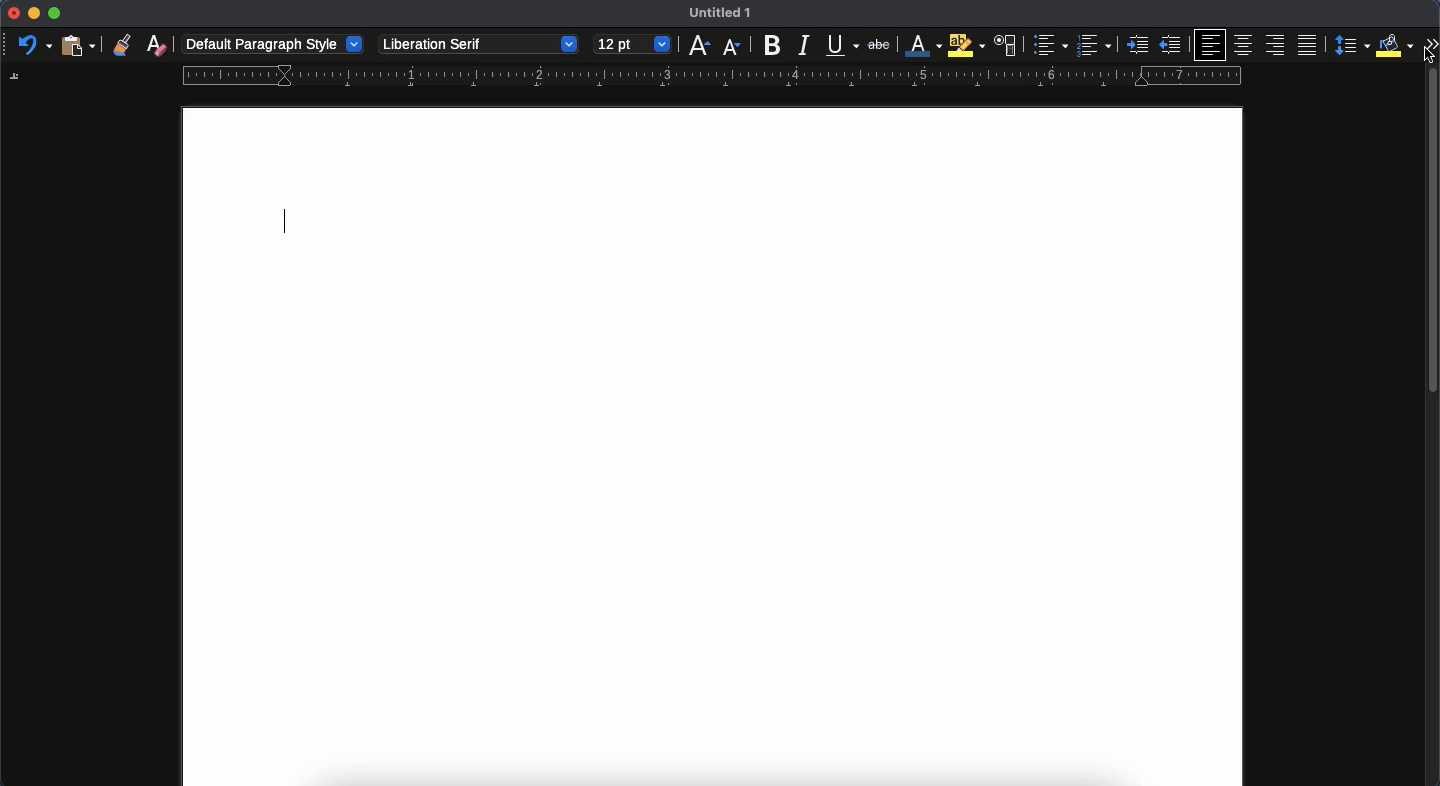 The width and height of the screenshot is (1440, 786). Describe the element at coordinates (34, 13) in the screenshot. I see `minimize ` at that location.